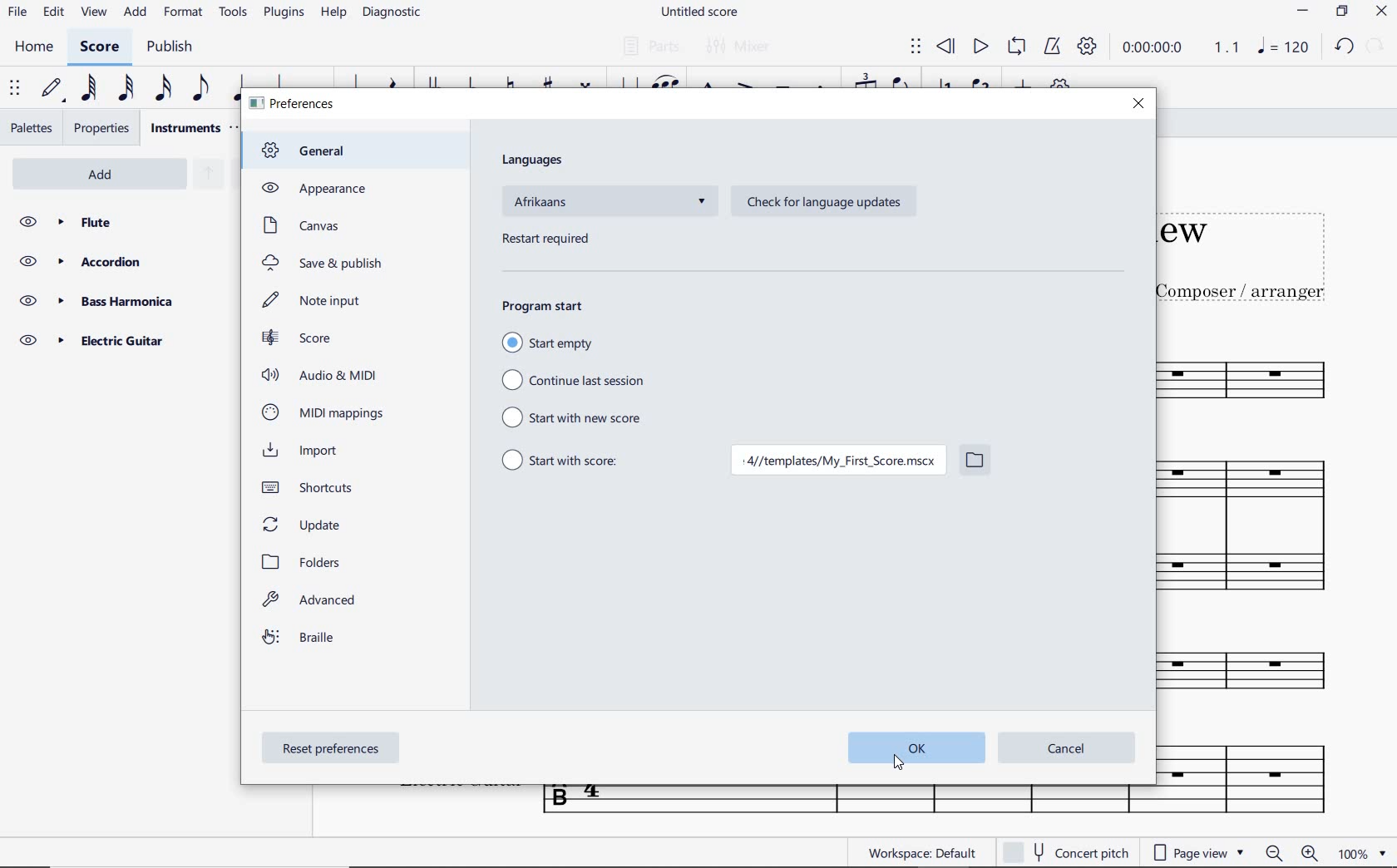  What do you see at coordinates (1138, 104) in the screenshot?
I see `close` at bounding box center [1138, 104].